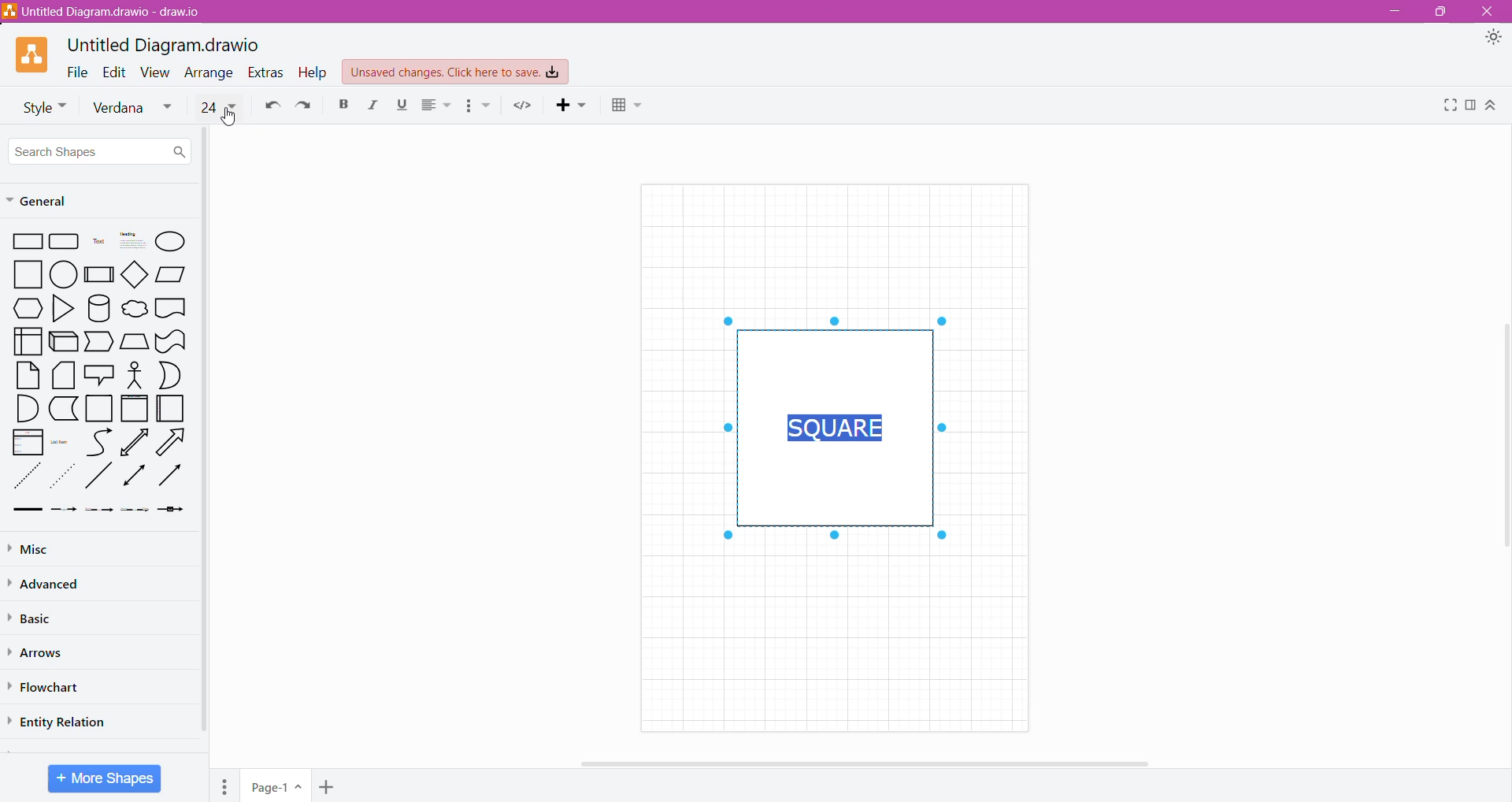 The height and width of the screenshot is (802, 1512). Describe the element at coordinates (27, 510) in the screenshot. I see `Thick line` at that location.